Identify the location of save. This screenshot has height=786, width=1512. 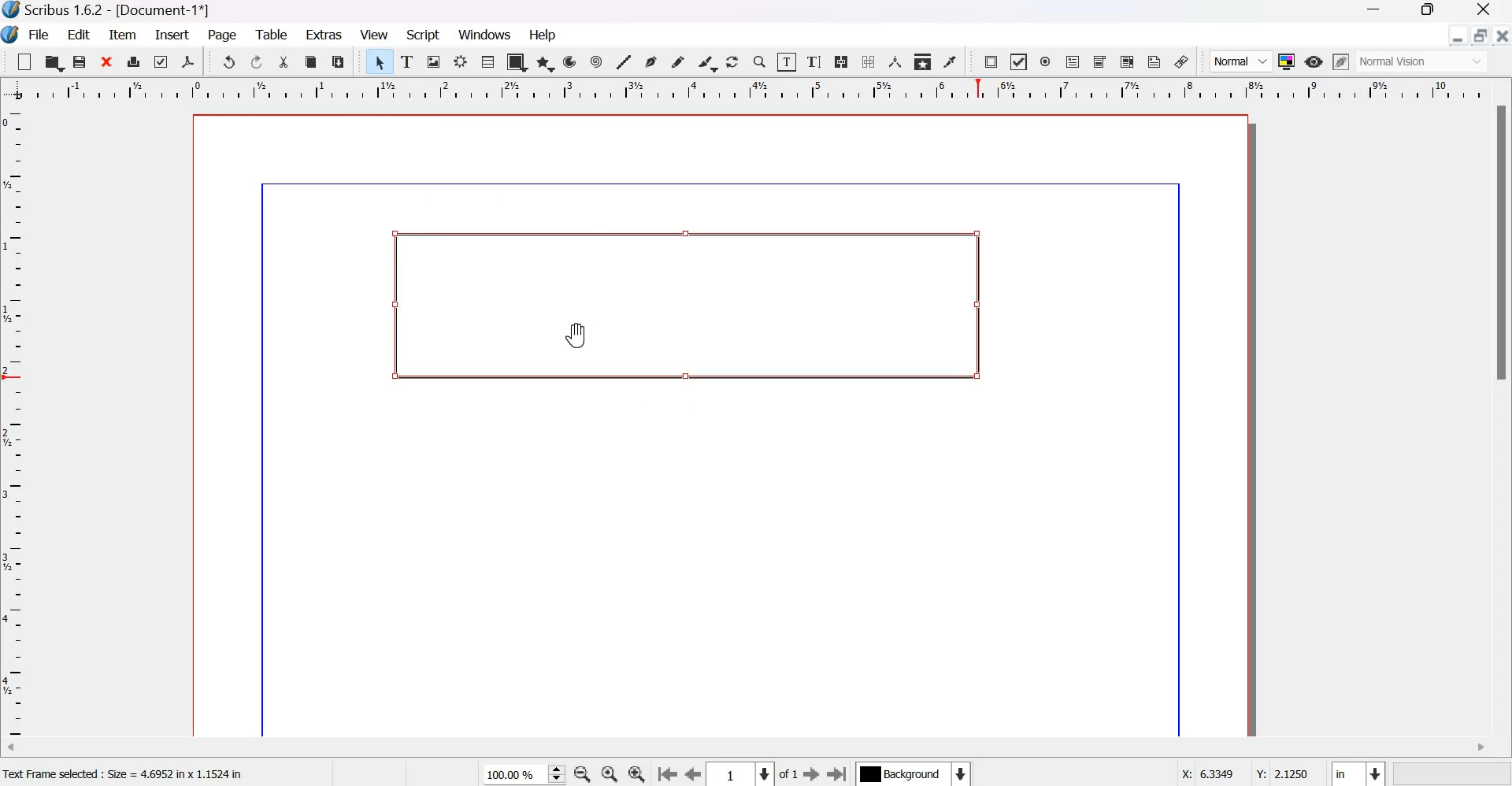
(80, 61).